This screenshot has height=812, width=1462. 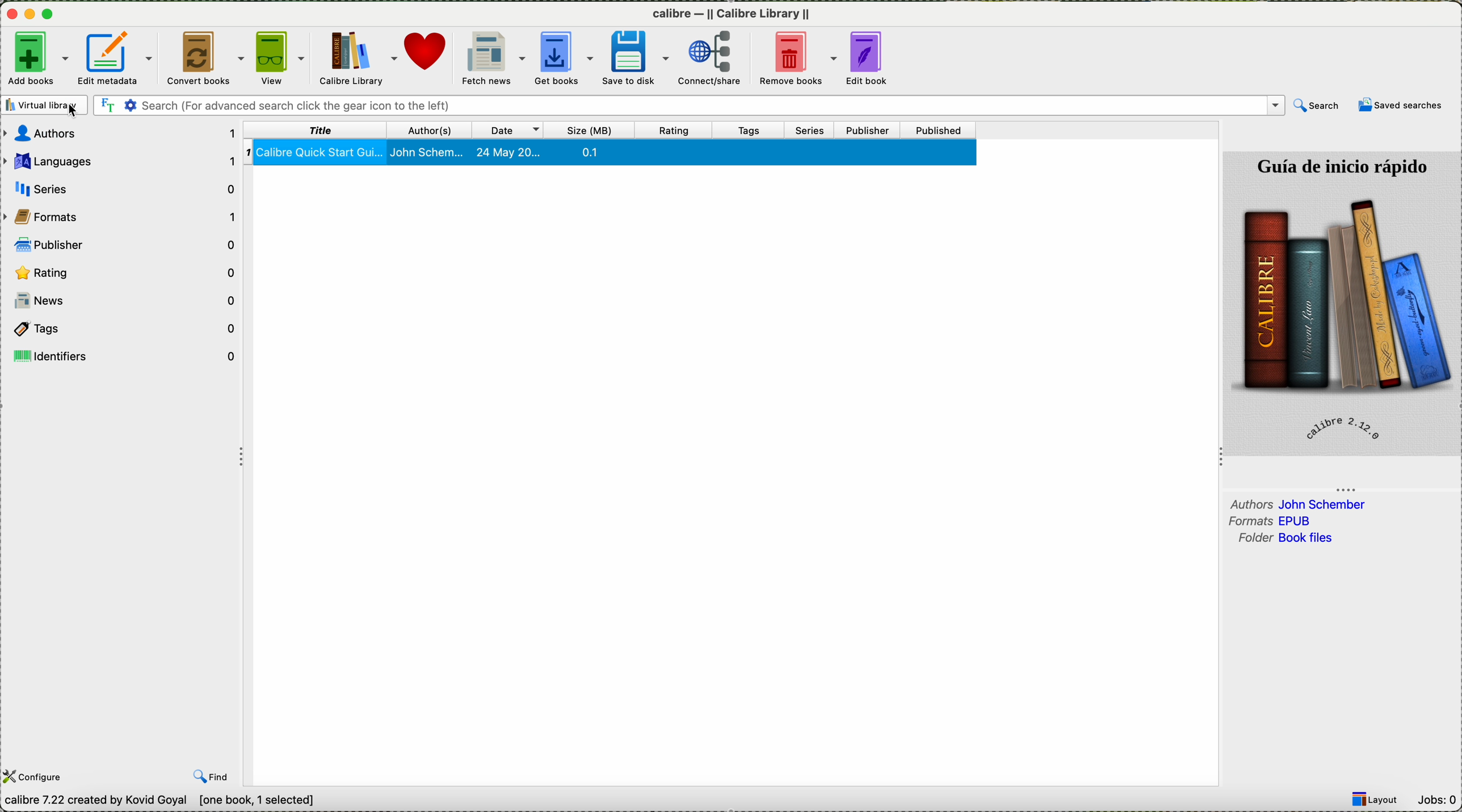 What do you see at coordinates (123, 135) in the screenshot?
I see `authors` at bounding box center [123, 135].